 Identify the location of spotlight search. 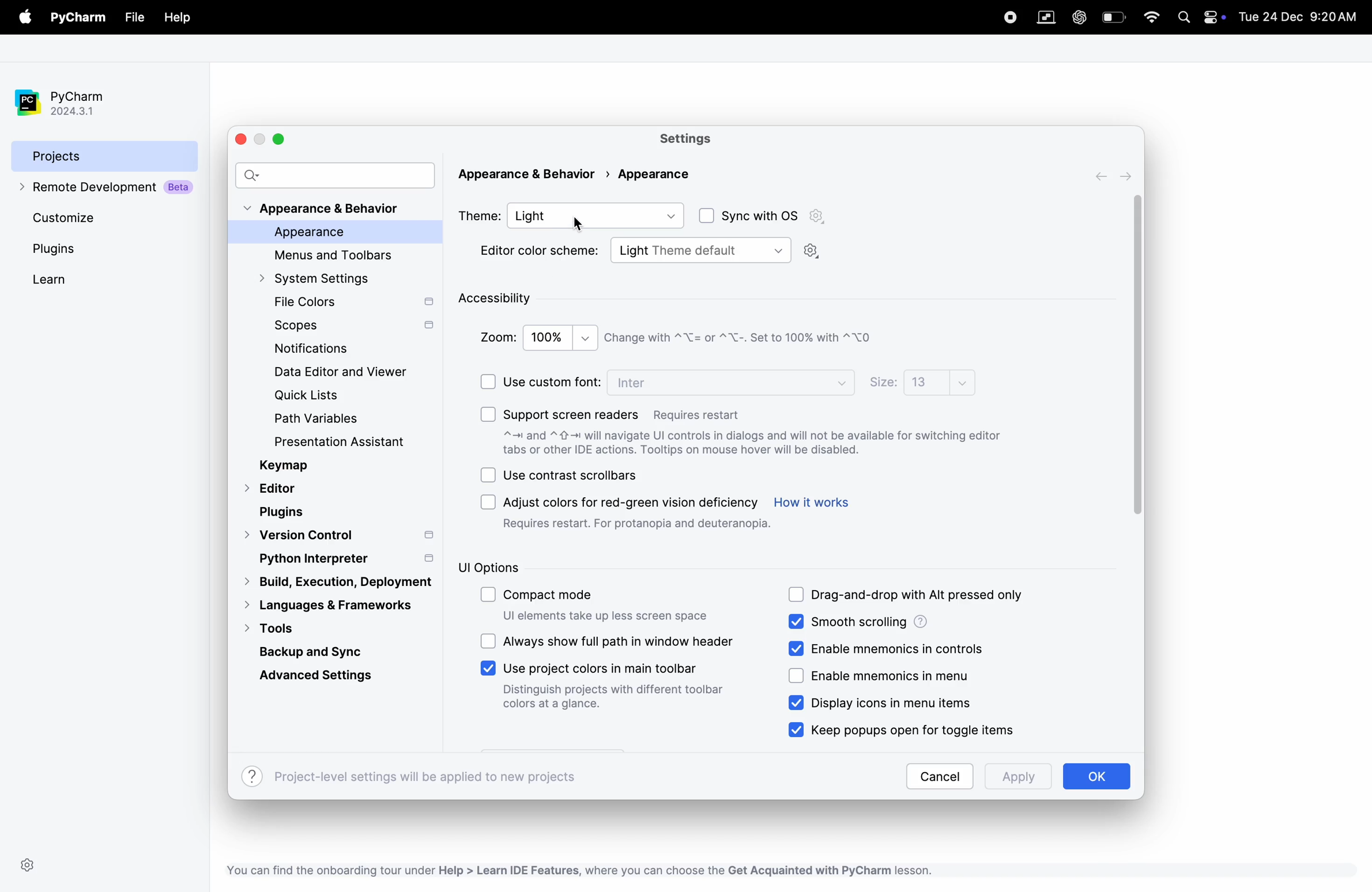
(1183, 18).